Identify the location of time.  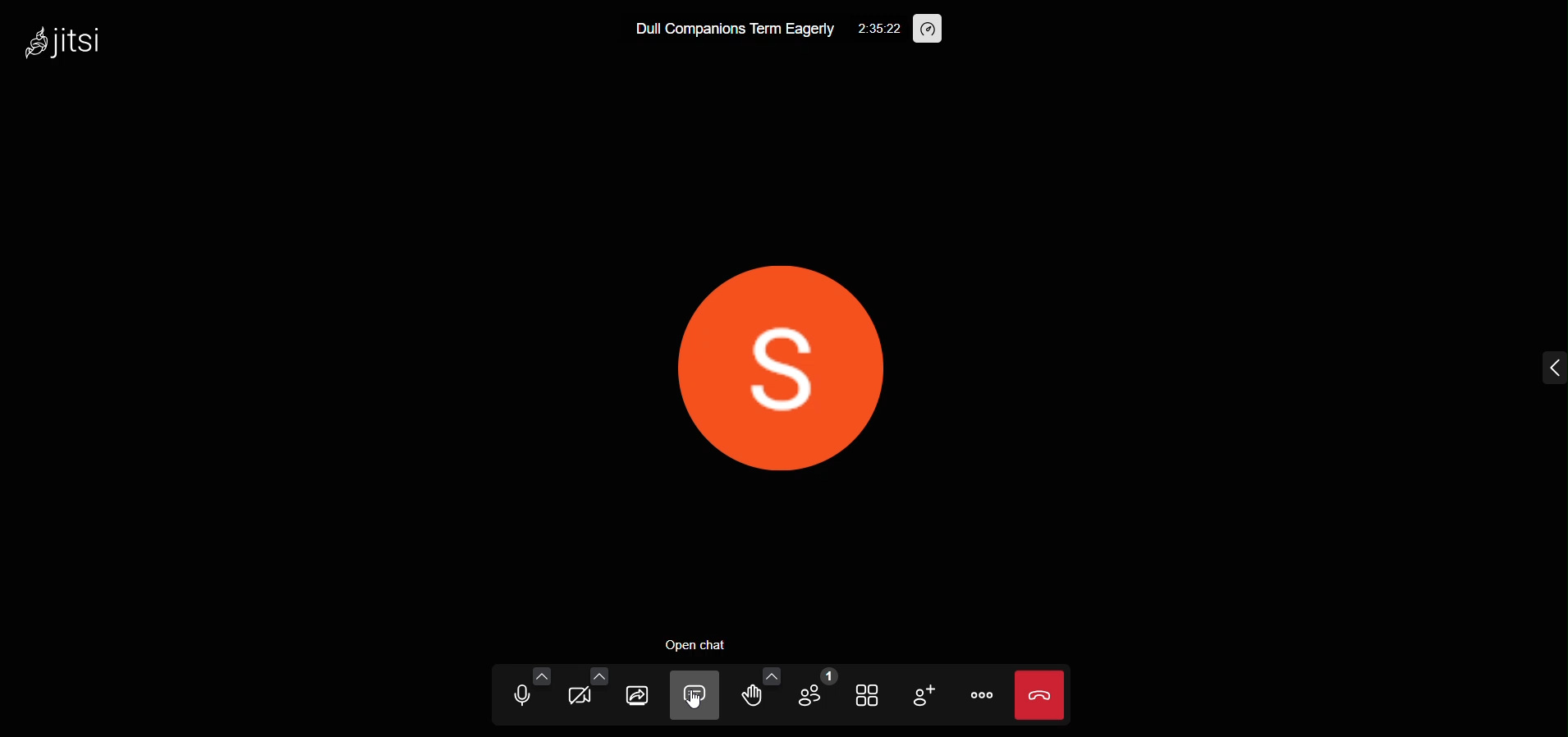
(878, 27).